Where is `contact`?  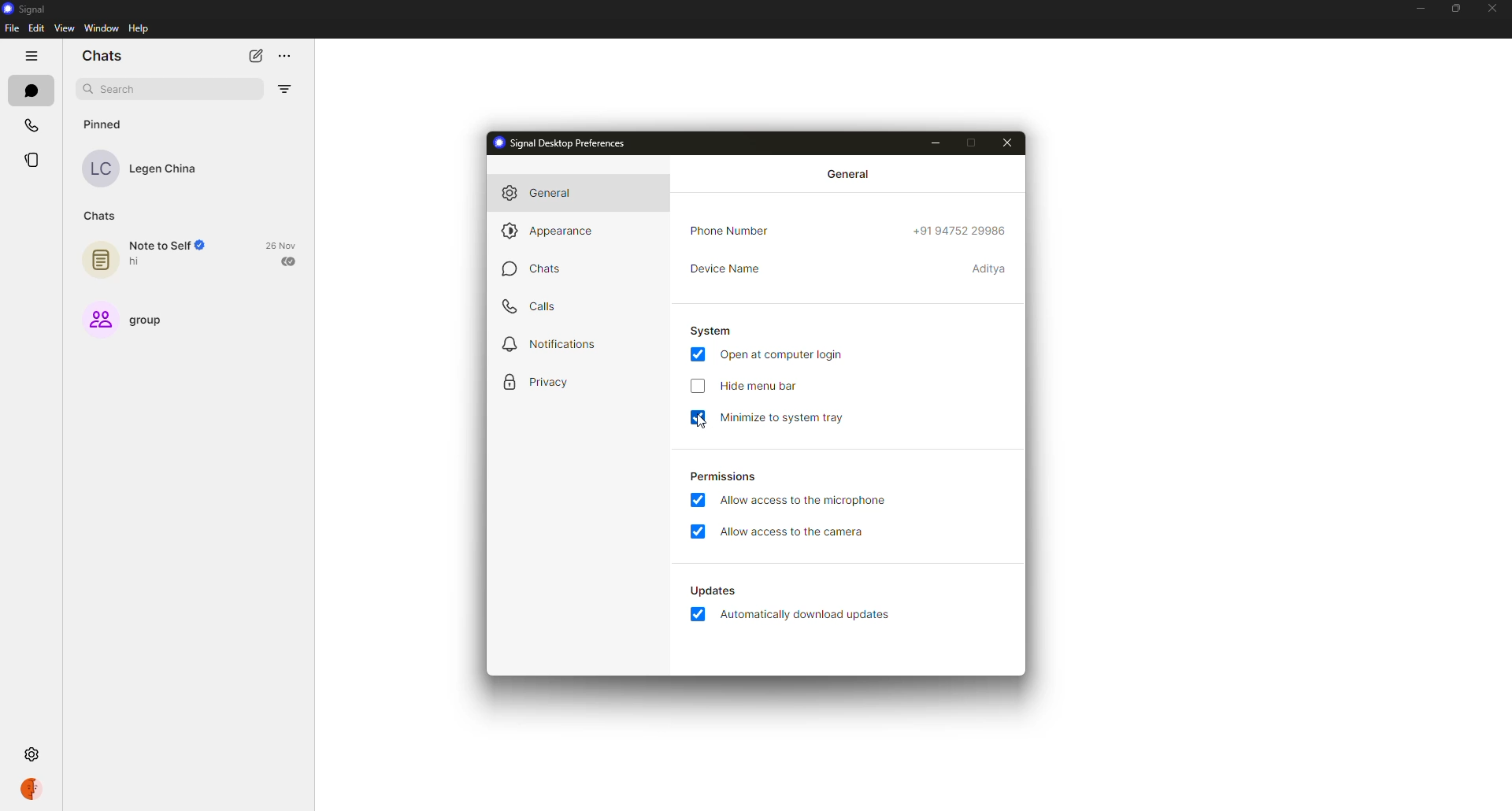
contact is located at coordinates (150, 169).